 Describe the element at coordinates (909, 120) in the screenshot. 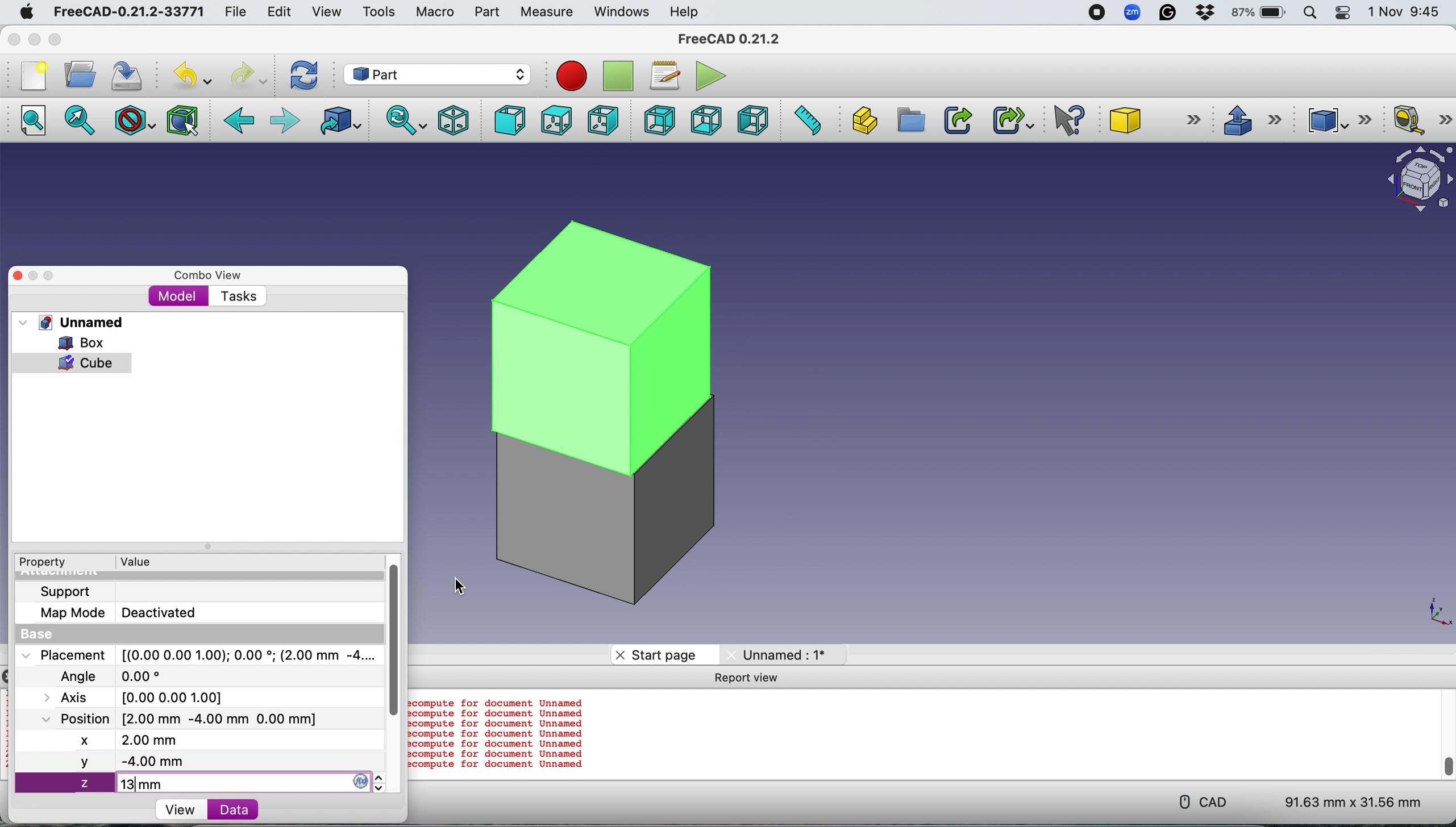

I see `Create group` at that location.